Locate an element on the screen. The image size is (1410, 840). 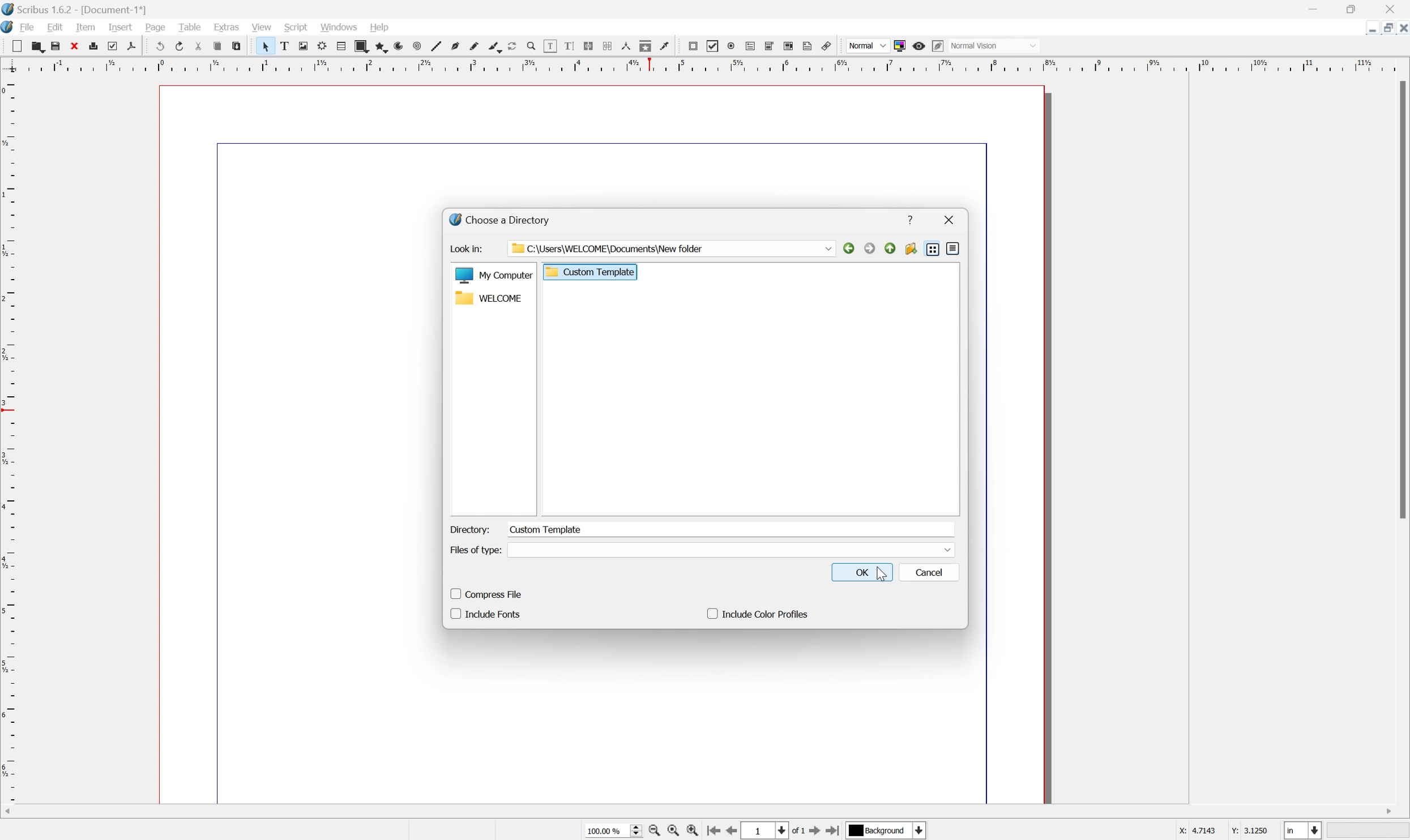
detail view is located at coordinates (955, 250).